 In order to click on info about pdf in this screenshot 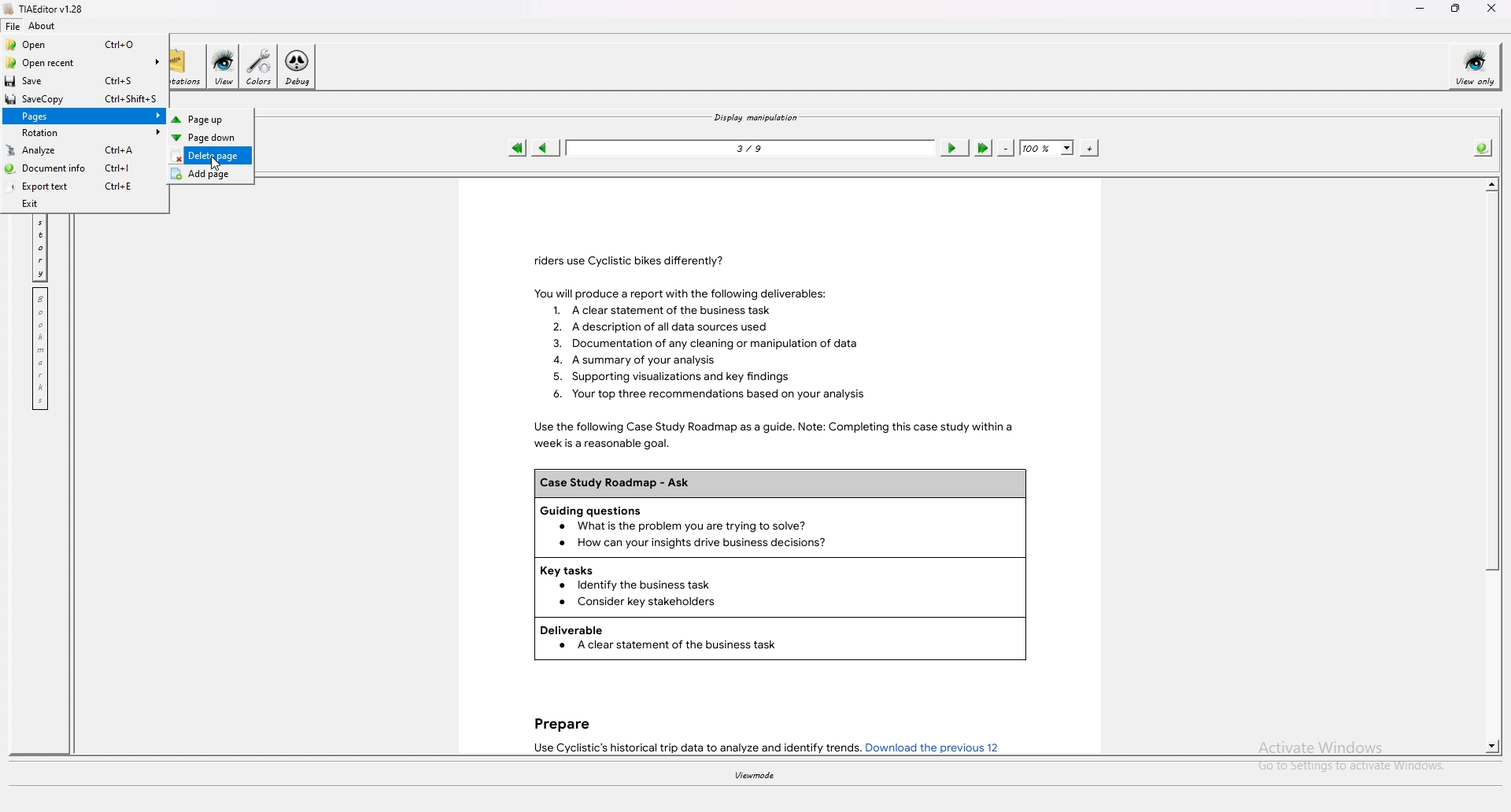, I will do `click(1483, 147)`.